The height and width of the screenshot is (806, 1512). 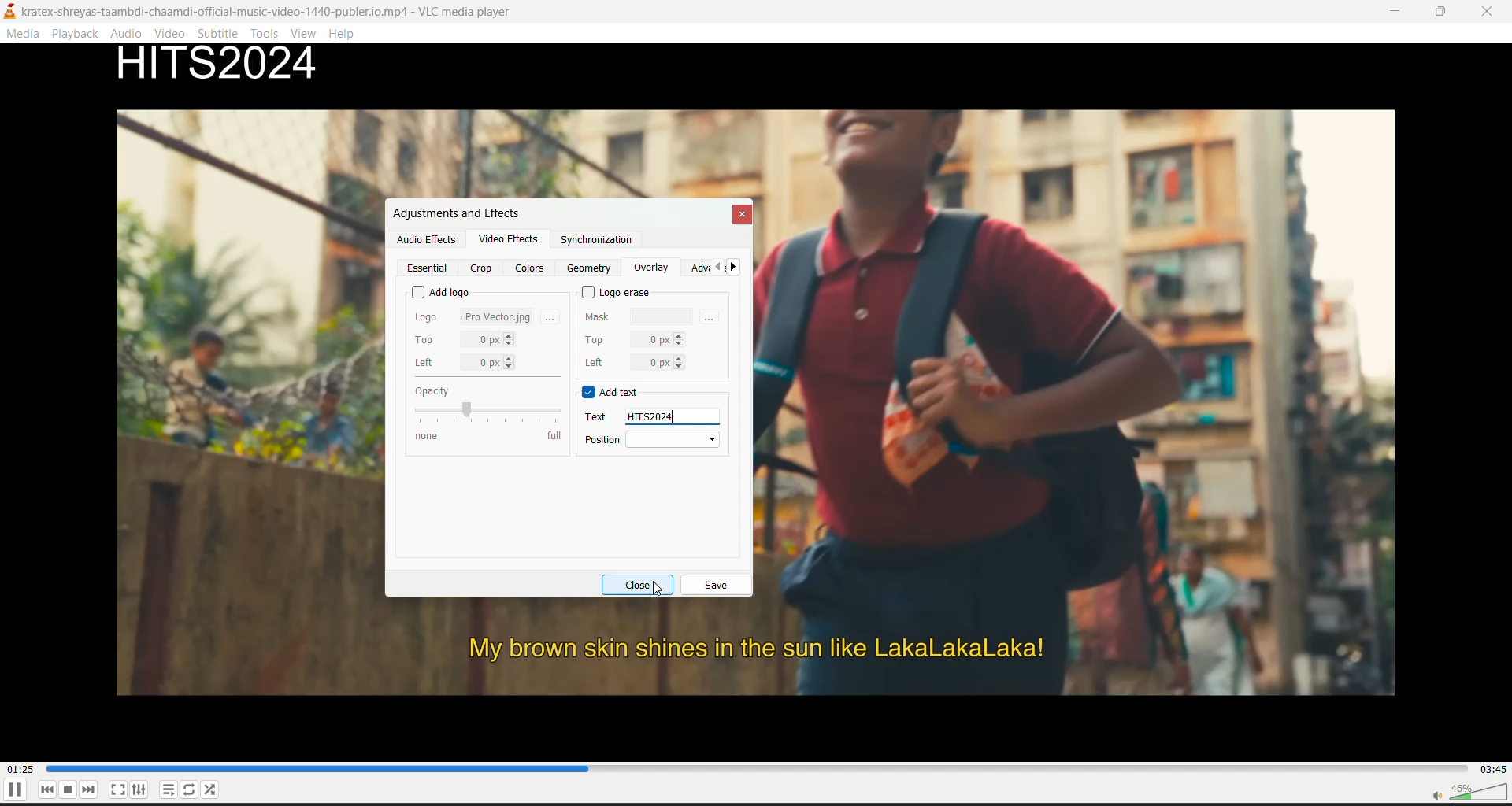 I want to click on random, so click(x=213, y=791).